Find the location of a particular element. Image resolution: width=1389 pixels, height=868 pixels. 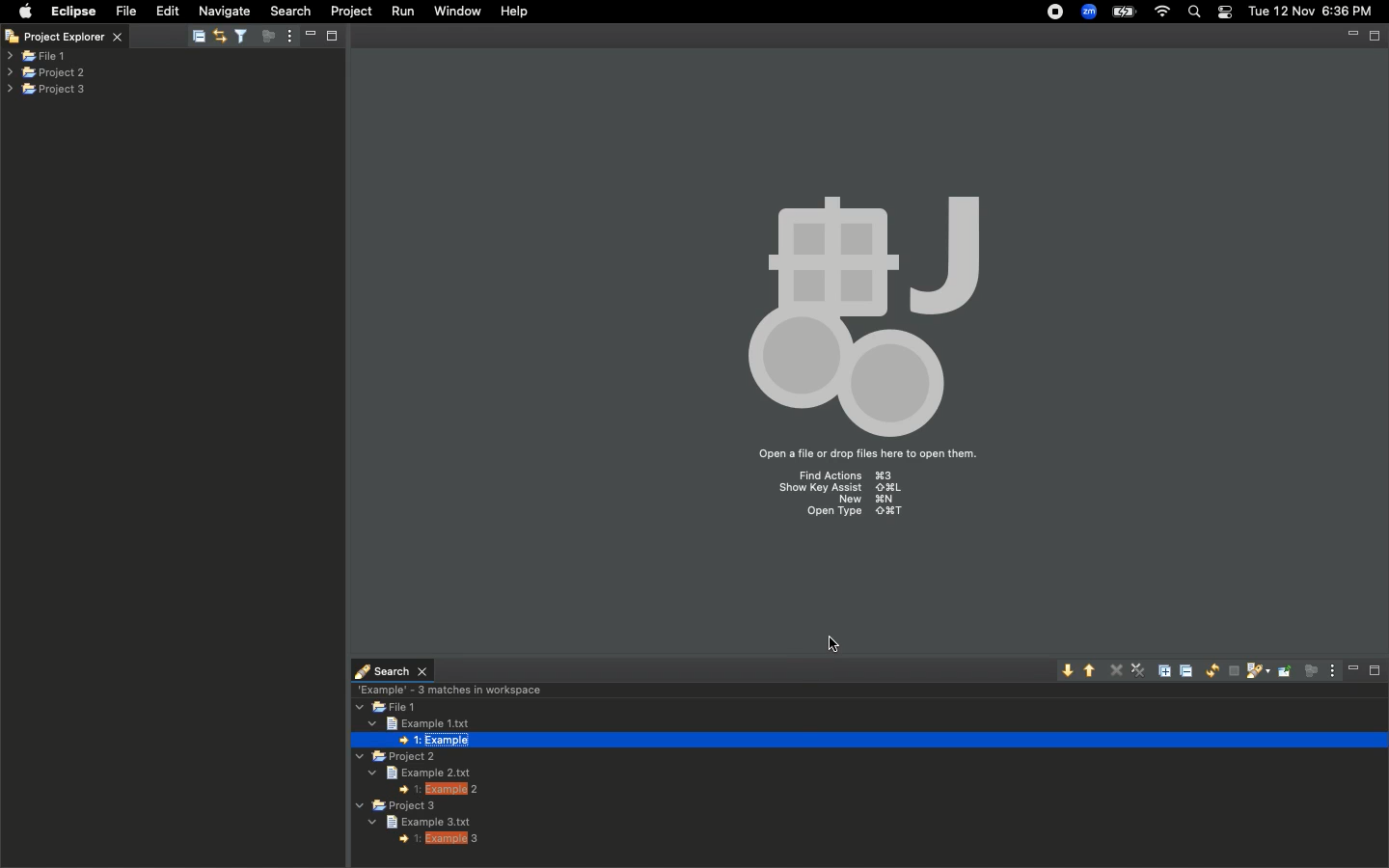

Collapse all is located at coordinates (199, 38).